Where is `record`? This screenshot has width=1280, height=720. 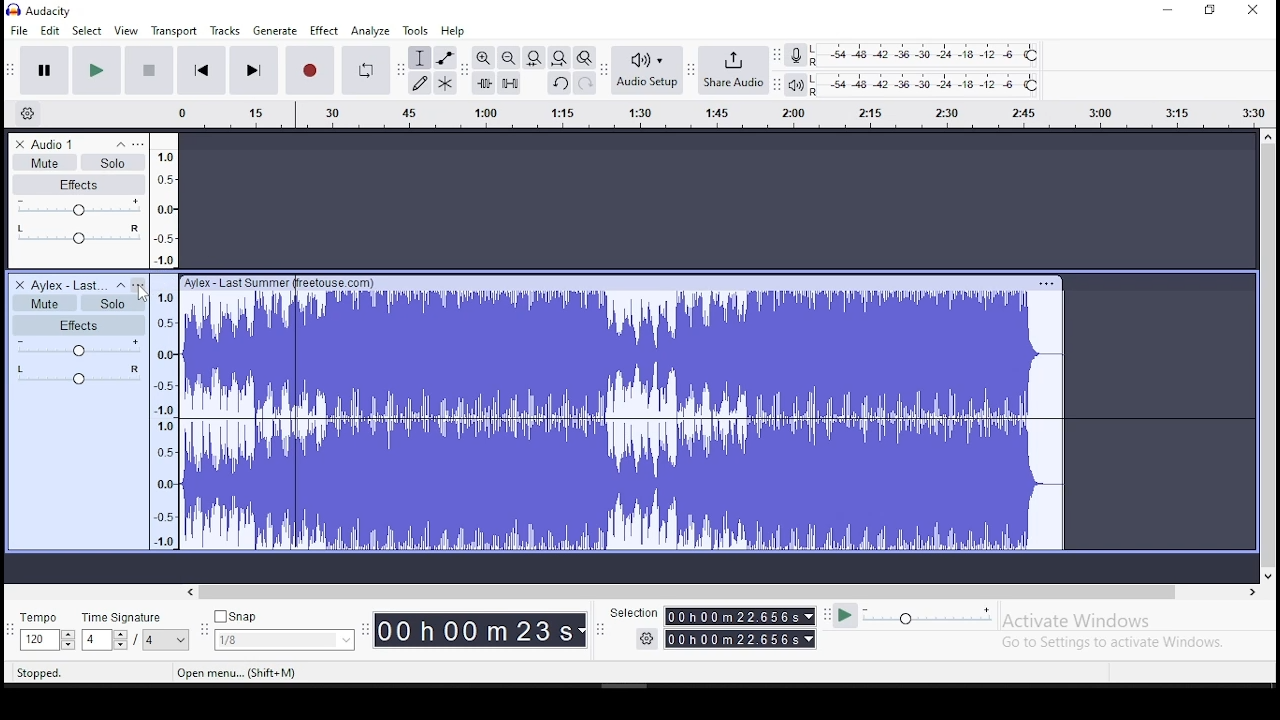
record is located at coordinates (309, 70).